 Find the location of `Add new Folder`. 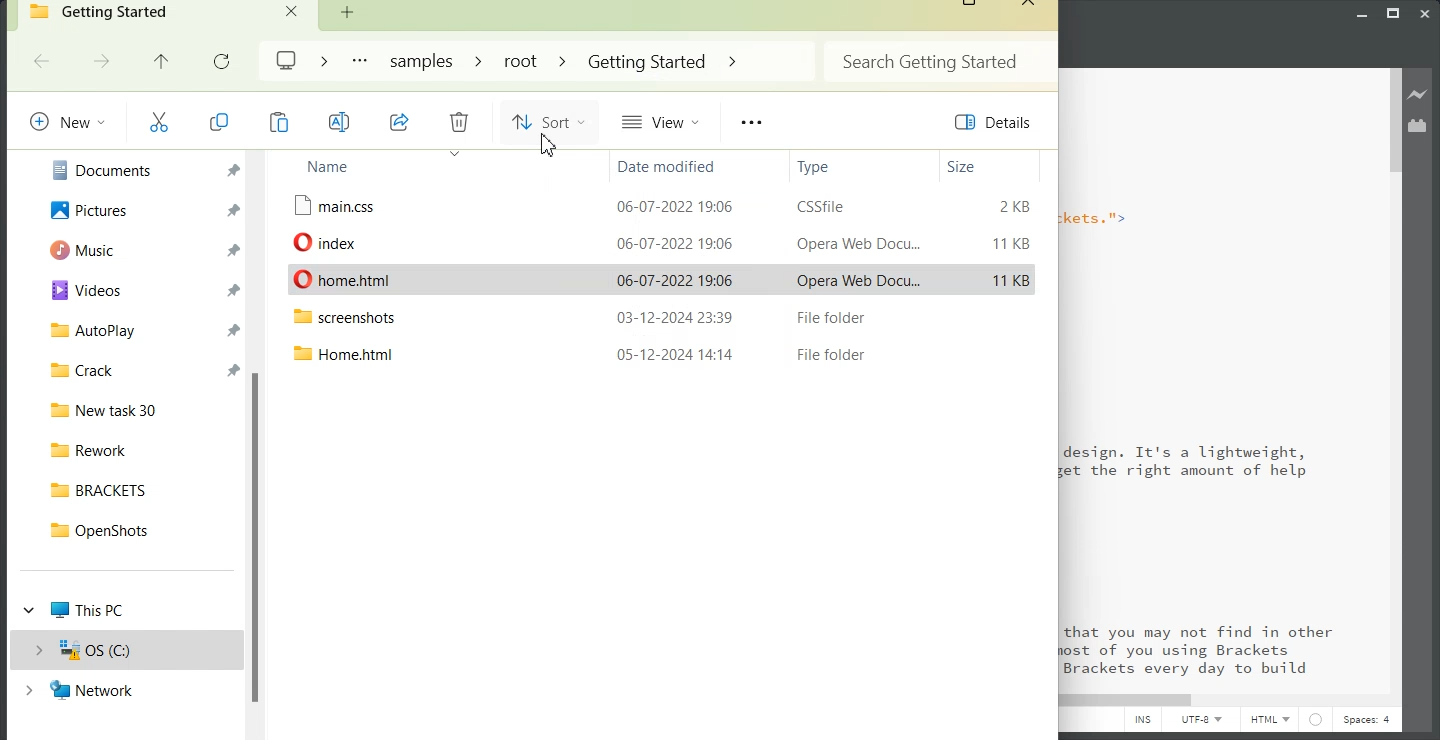

Add new Folder is located at coordinates (347, 12).